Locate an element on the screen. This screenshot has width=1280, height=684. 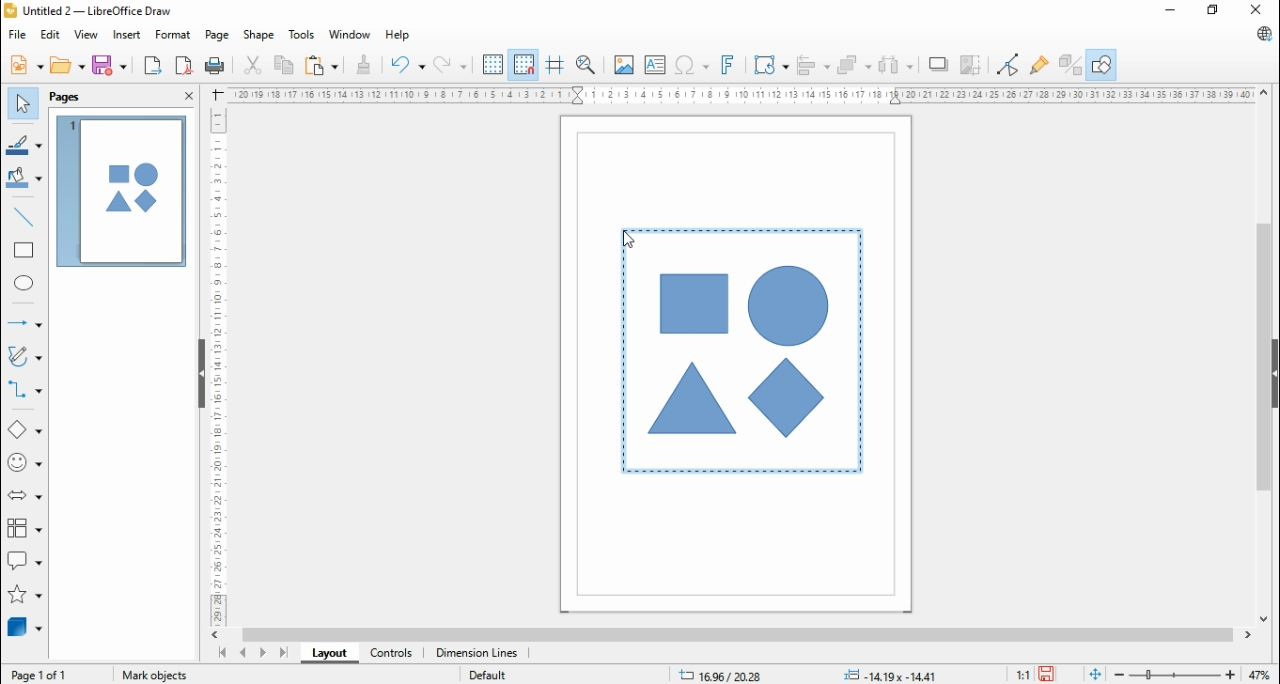
select at least three objects to distribute is located at coordinates (895, 66).